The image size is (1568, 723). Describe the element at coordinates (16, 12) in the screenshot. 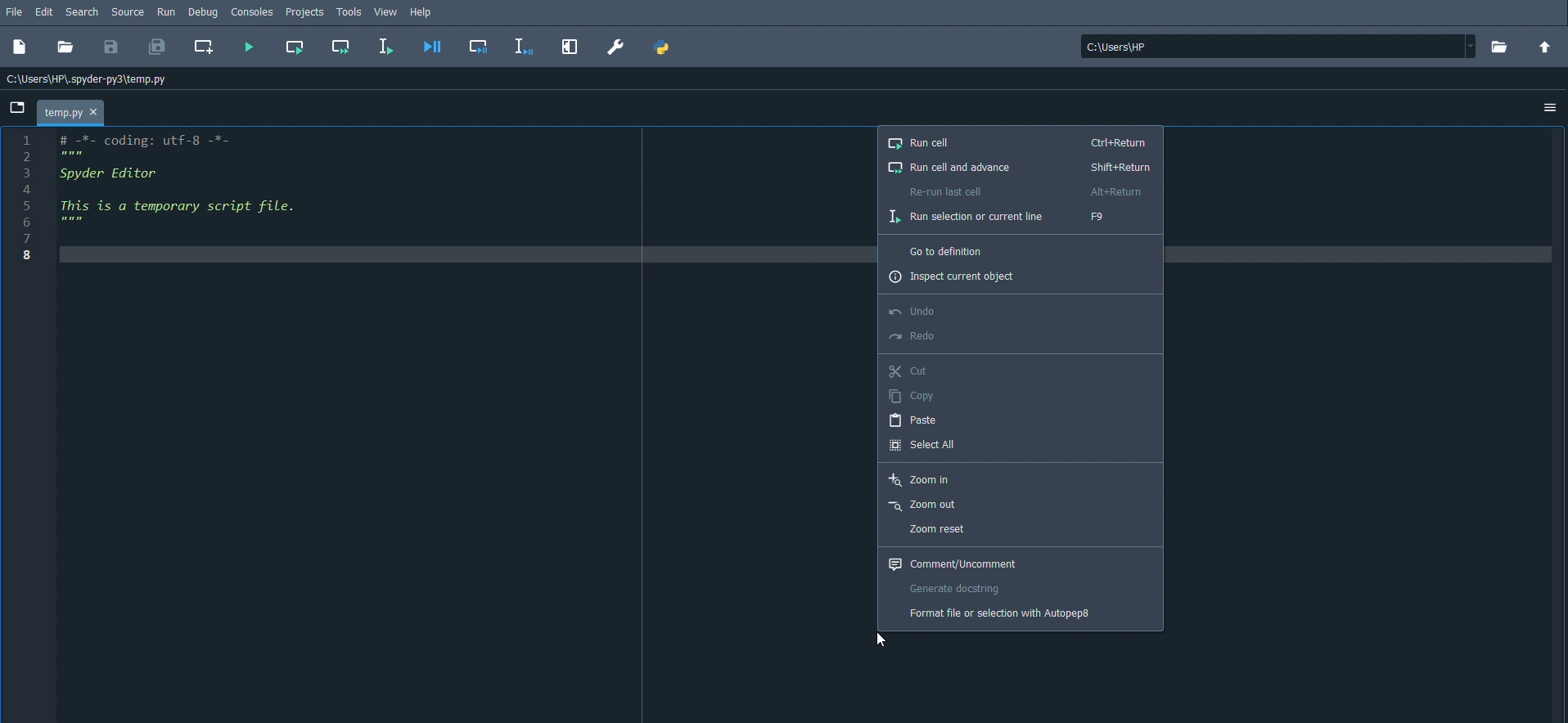

I see `File` at that location.